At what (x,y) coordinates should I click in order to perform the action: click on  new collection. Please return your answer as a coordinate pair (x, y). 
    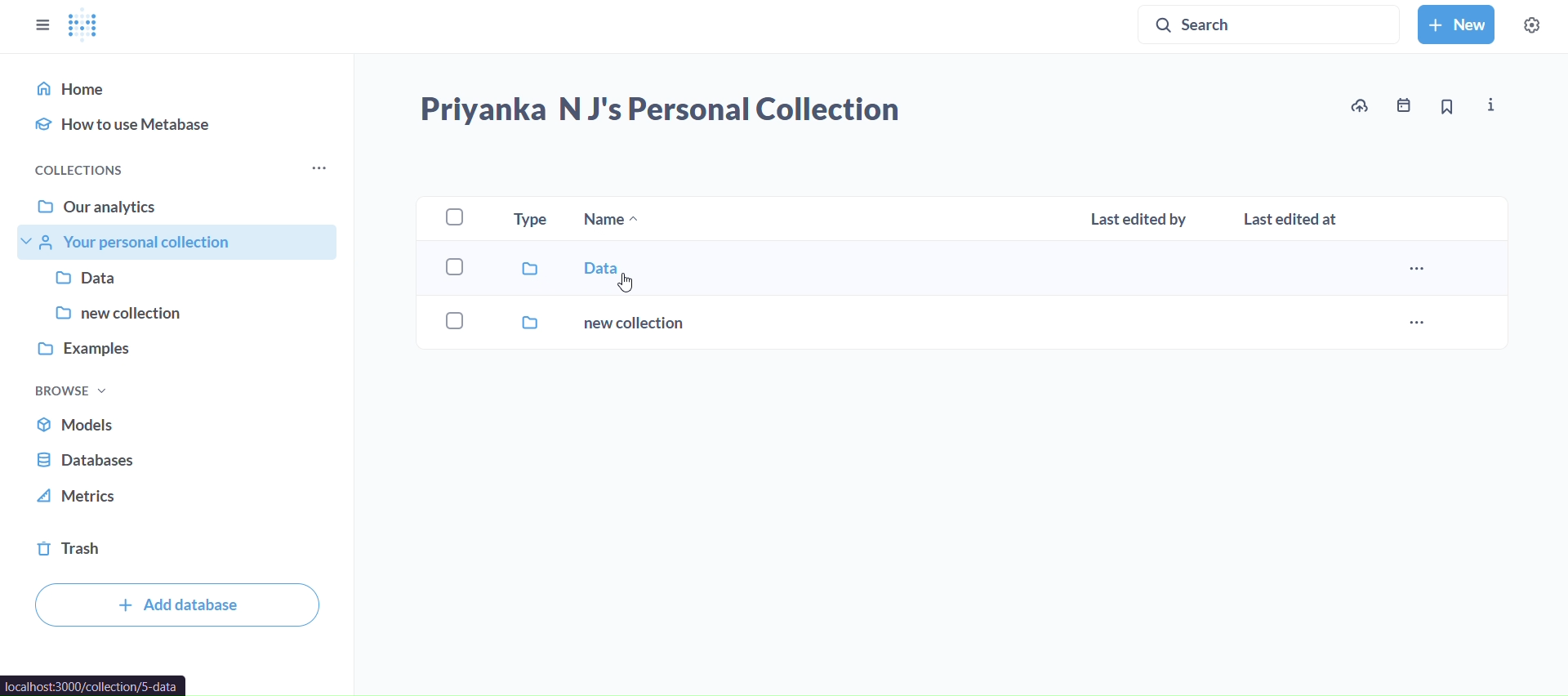
    Looking at the image, I should click on (186, 312).